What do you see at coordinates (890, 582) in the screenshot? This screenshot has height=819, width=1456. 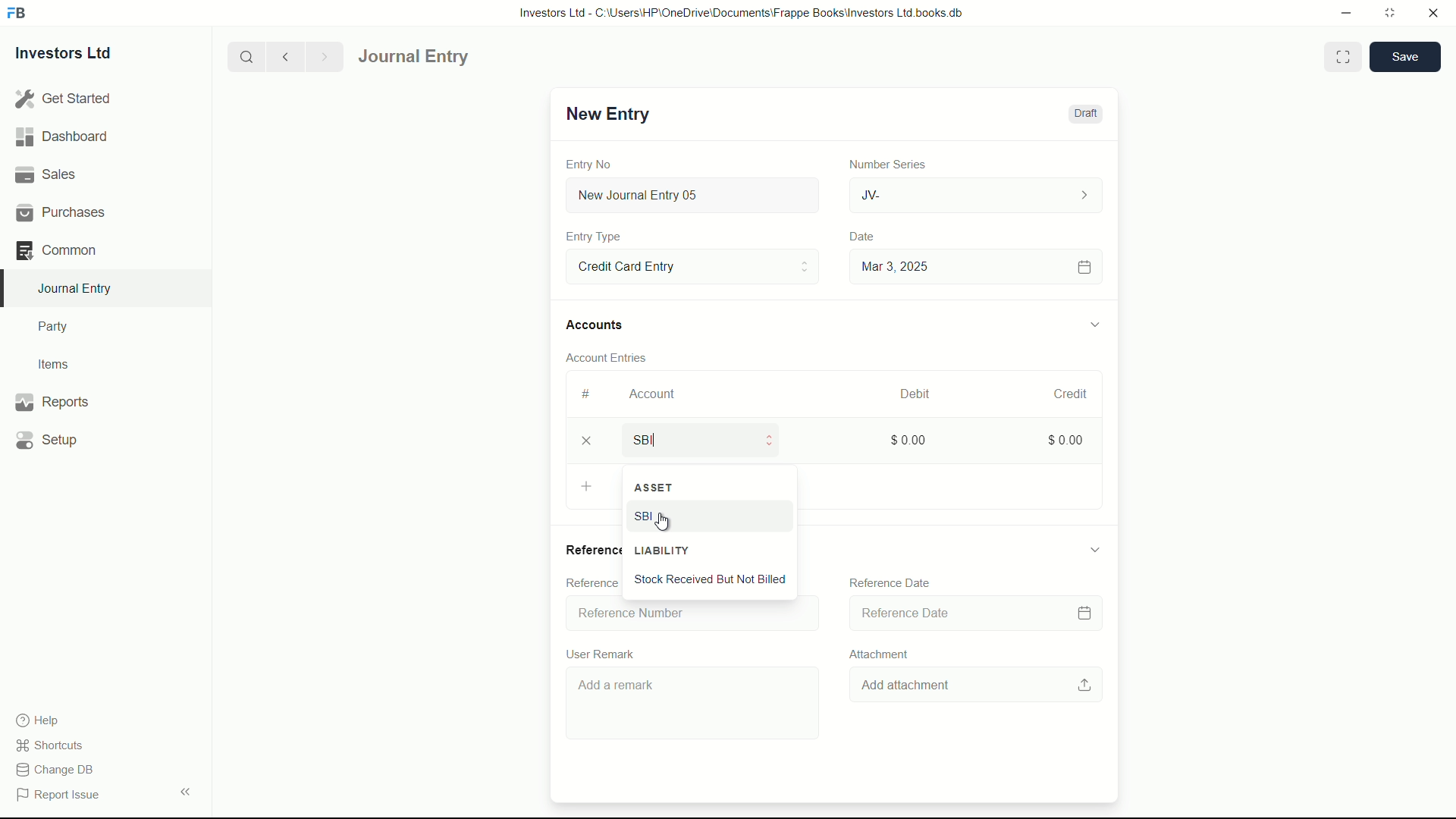 I see `Reference Date` at bounding box center [890, 582].